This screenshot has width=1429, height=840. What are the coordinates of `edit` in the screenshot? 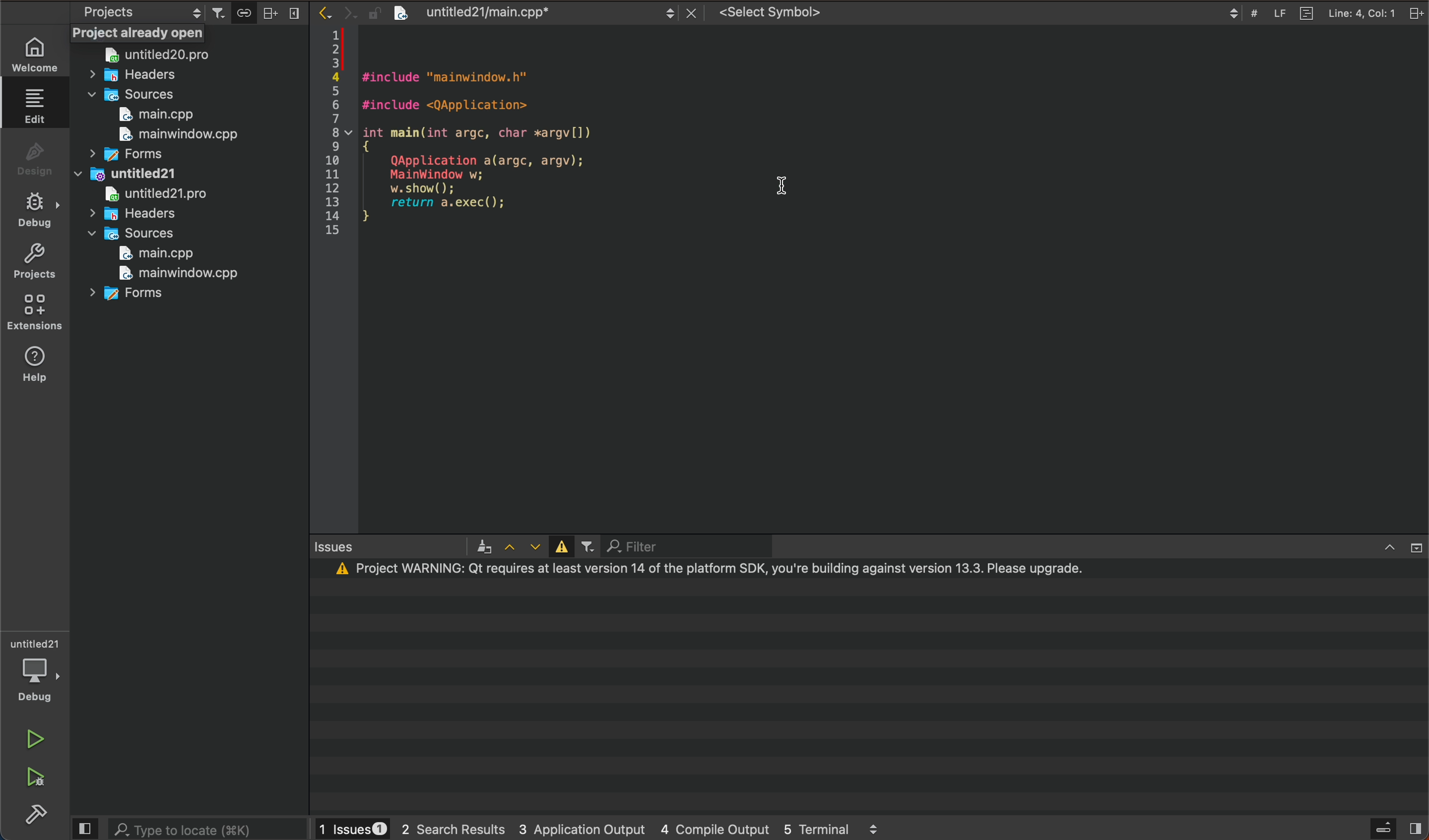 It's located at (35, 106).